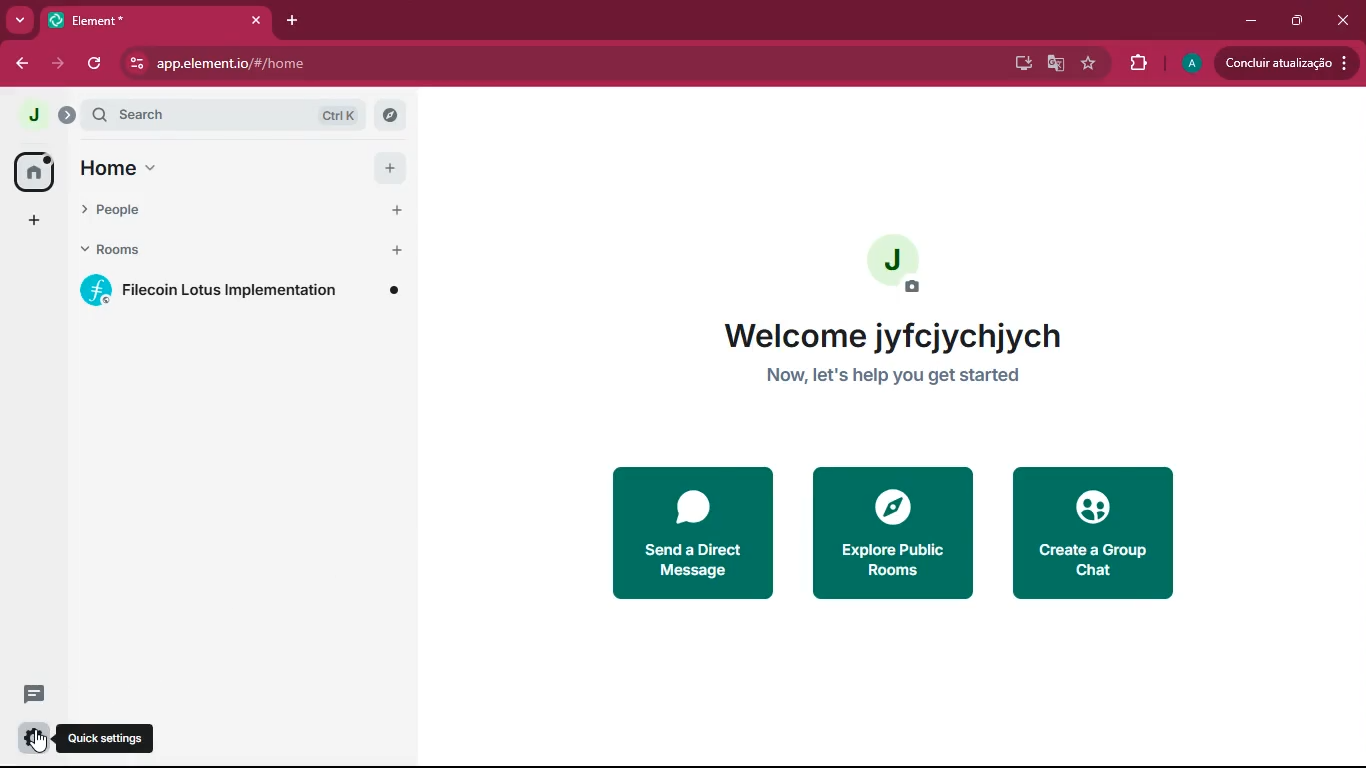 Image resolution: width=1366 pixels, height=768 pixels. I want to click on Add people, so click(389, 210).